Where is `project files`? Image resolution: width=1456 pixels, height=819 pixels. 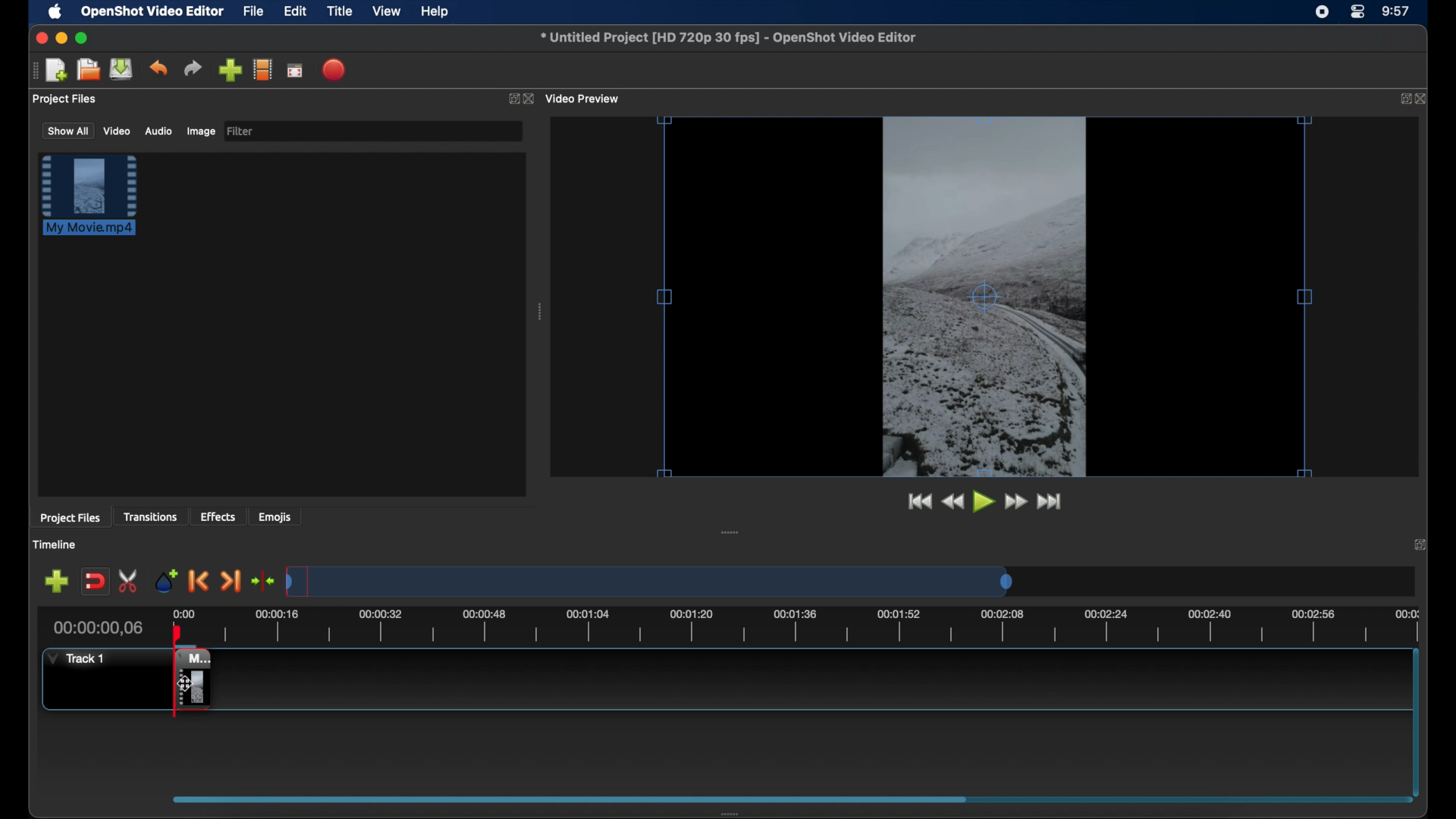
project files is located at coordinates (66, 99).